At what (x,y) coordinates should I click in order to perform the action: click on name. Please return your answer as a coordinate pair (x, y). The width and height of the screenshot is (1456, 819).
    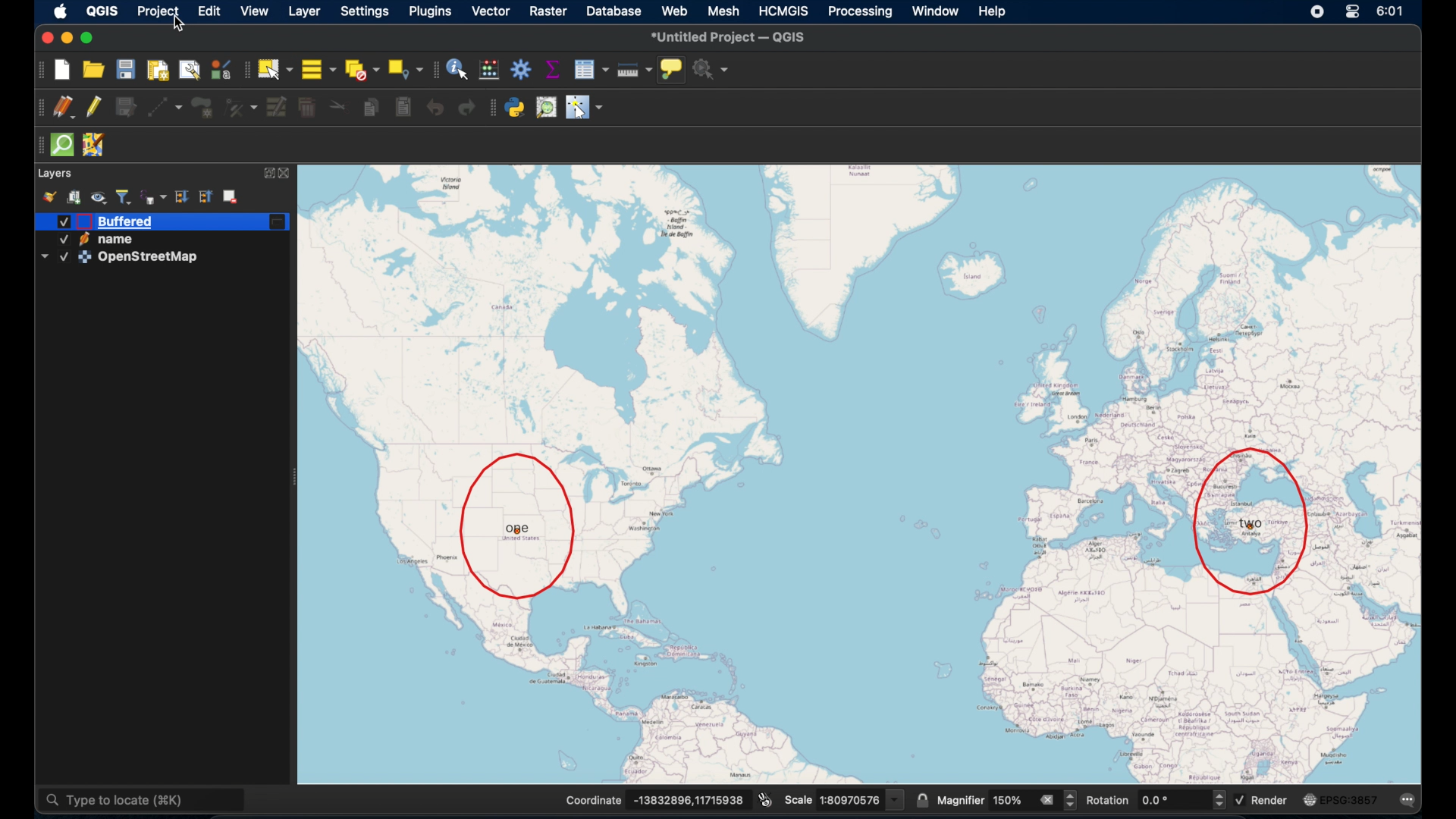
    Looking at the image, I should click on (121, 240).